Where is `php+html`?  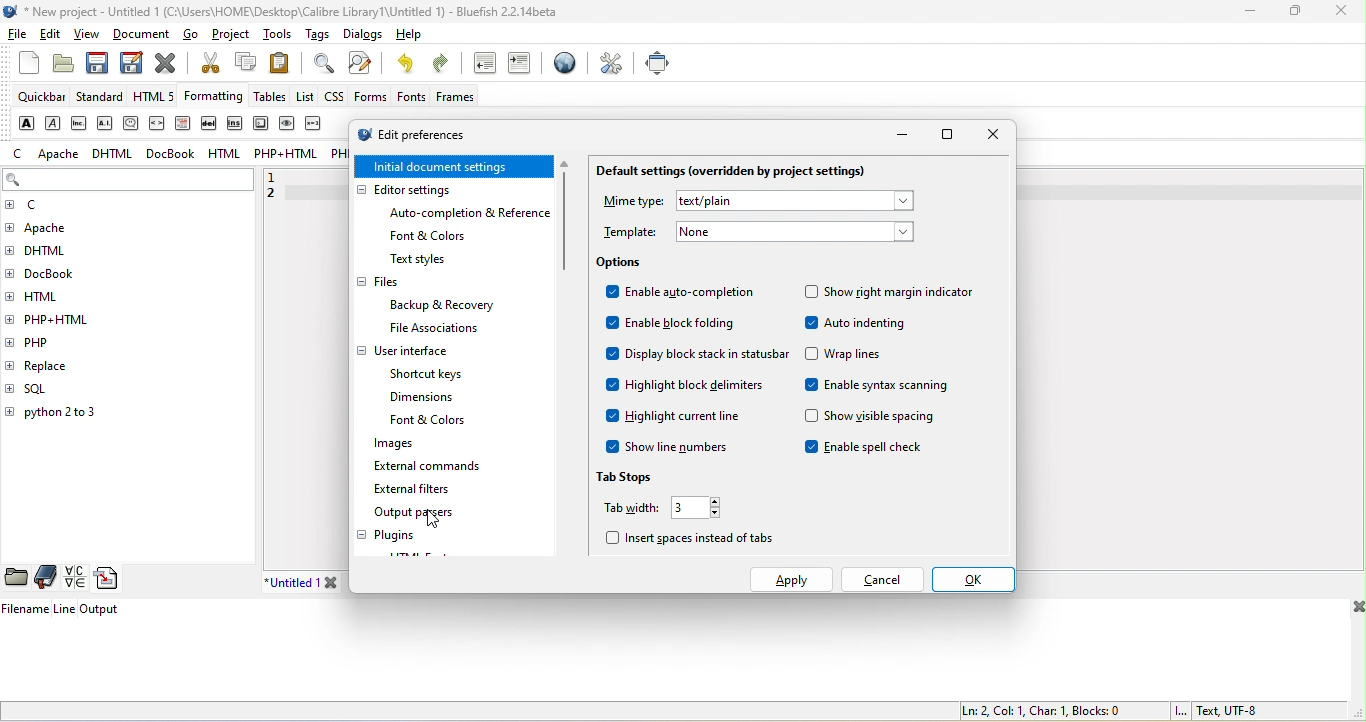 php+html is located at coordinates (65, 318).